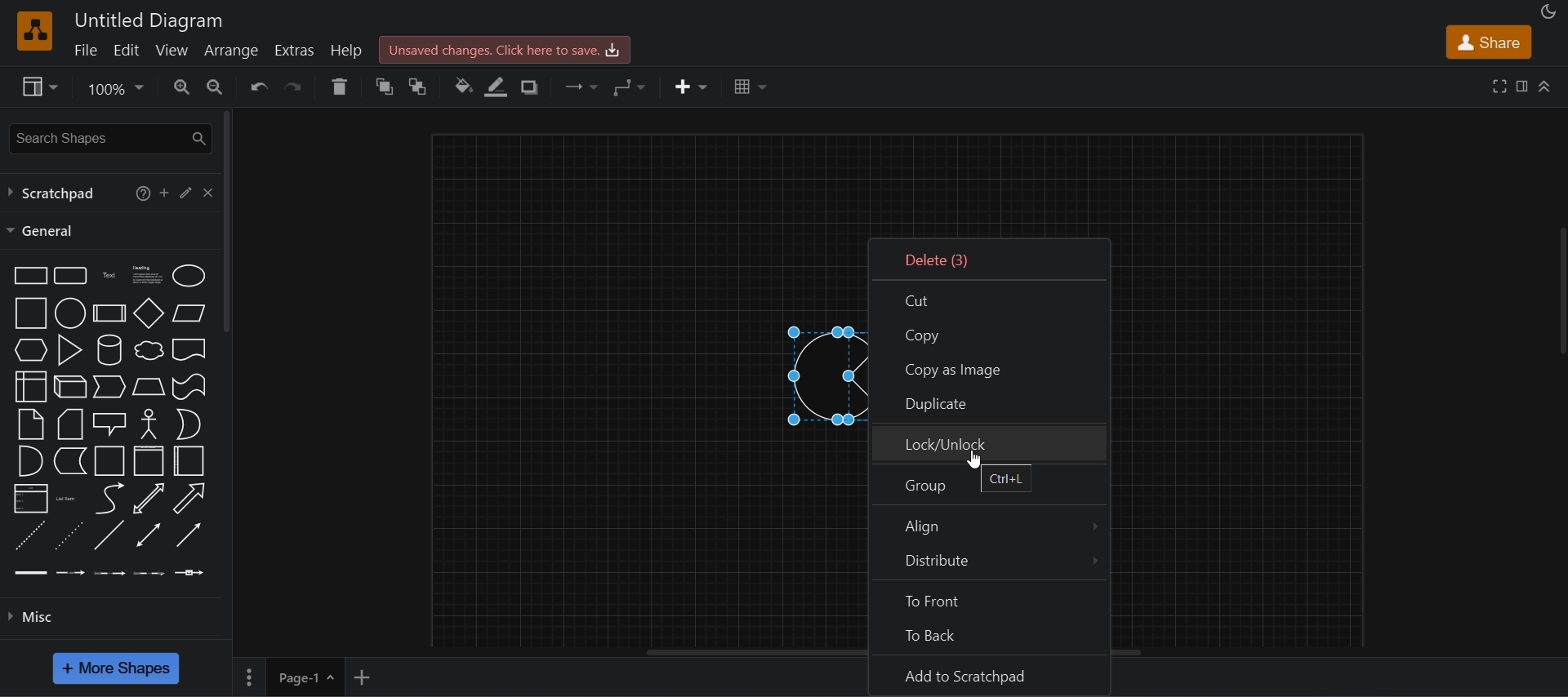  I want to click on extras, so click(296, 51).